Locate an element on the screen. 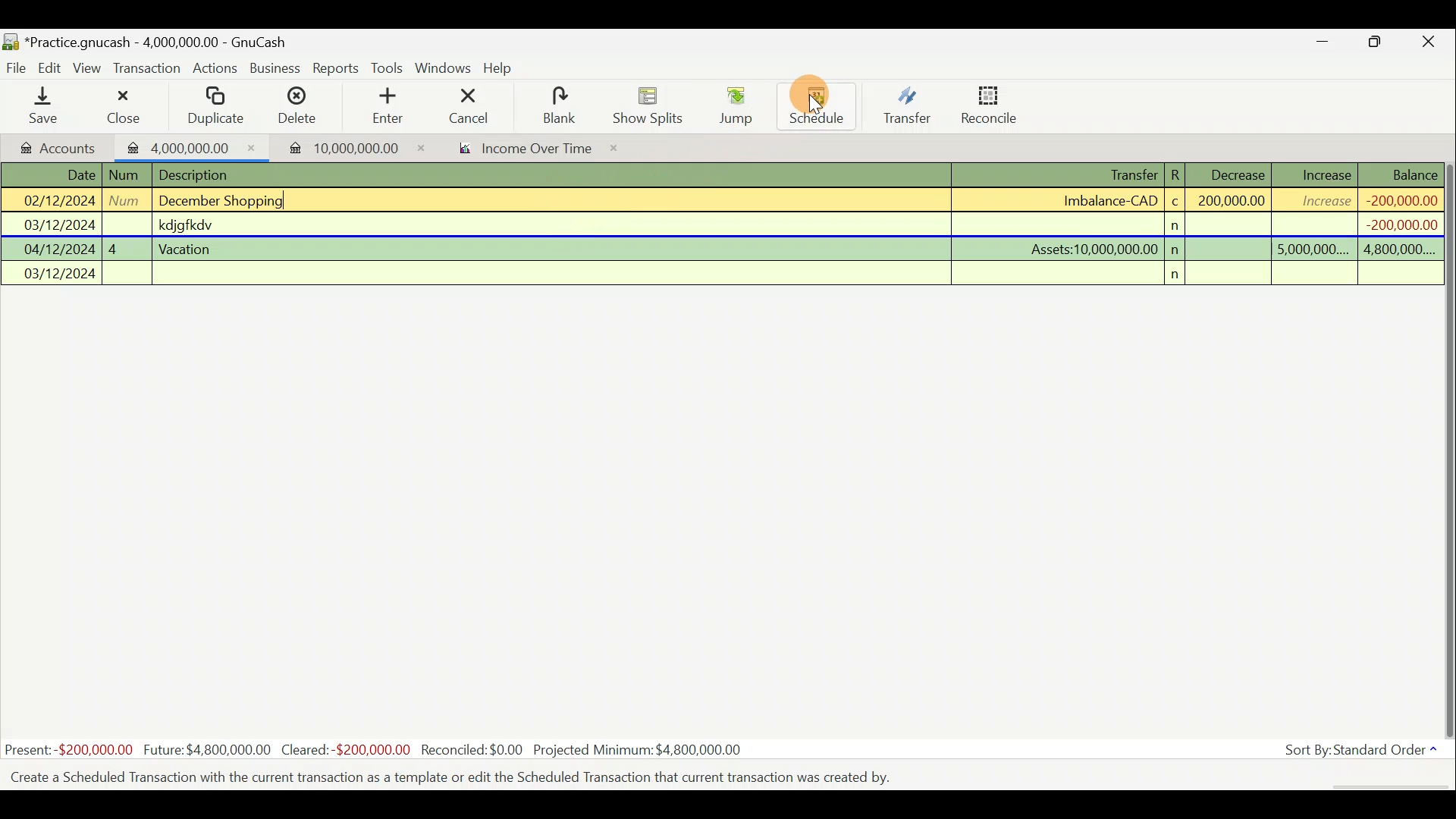 The width and height of the screenshot is (1456, 819). Edit is located at coordinates (52, 67).